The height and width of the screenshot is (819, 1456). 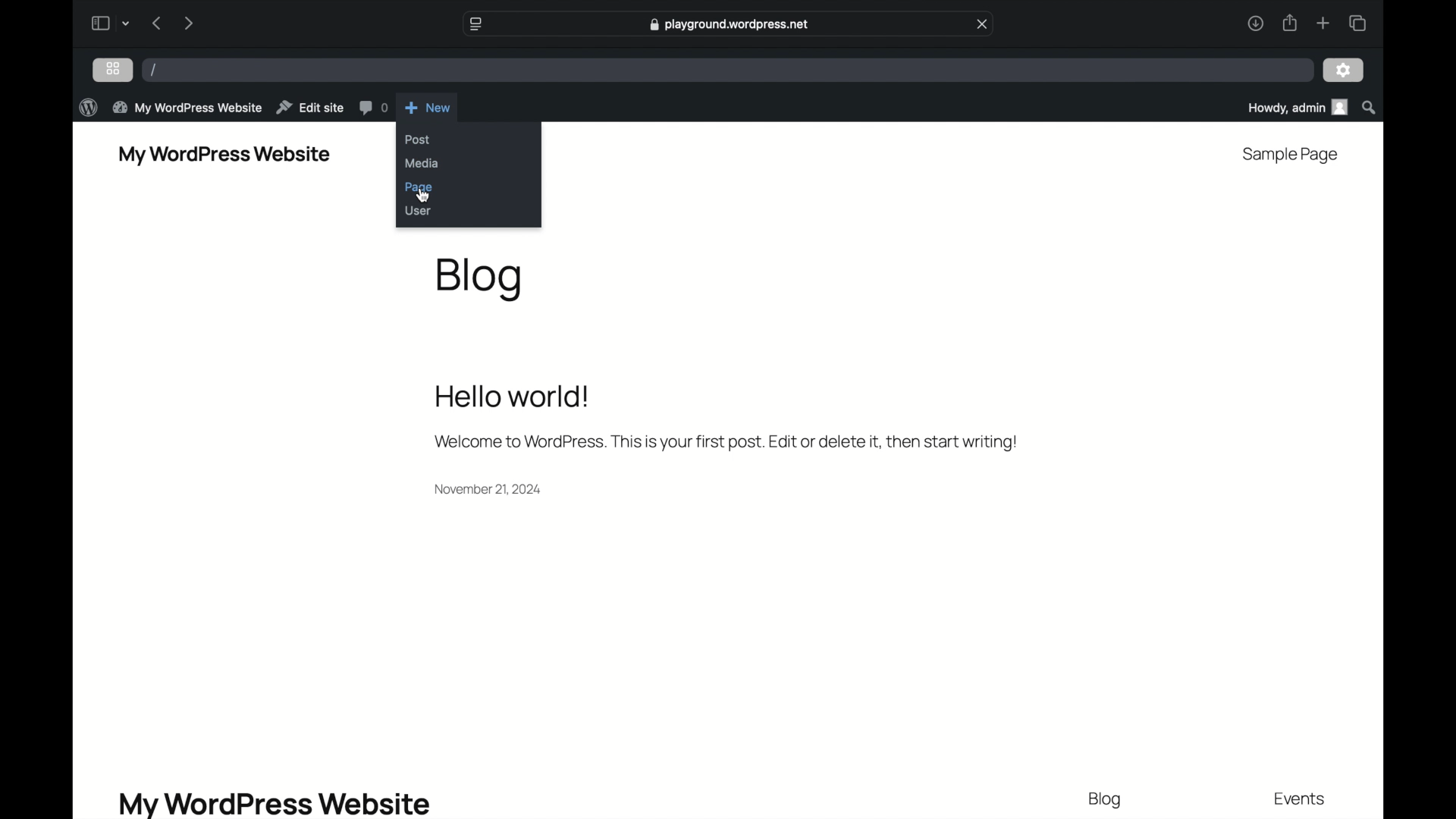 I want to click on blog, so click(x=1106, y=800).